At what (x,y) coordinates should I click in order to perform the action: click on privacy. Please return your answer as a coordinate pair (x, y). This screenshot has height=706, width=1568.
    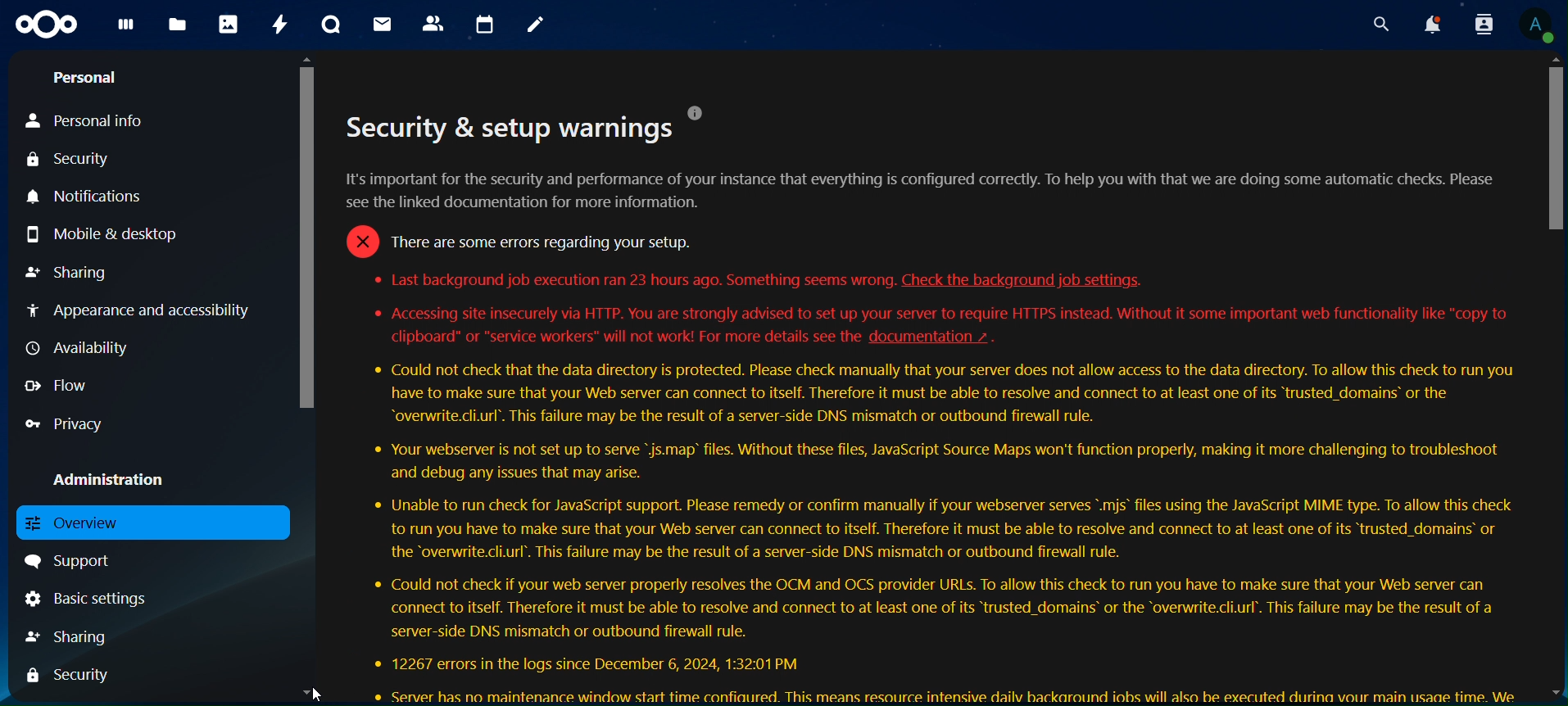
    Looking at the image, I should click on (66, 423).